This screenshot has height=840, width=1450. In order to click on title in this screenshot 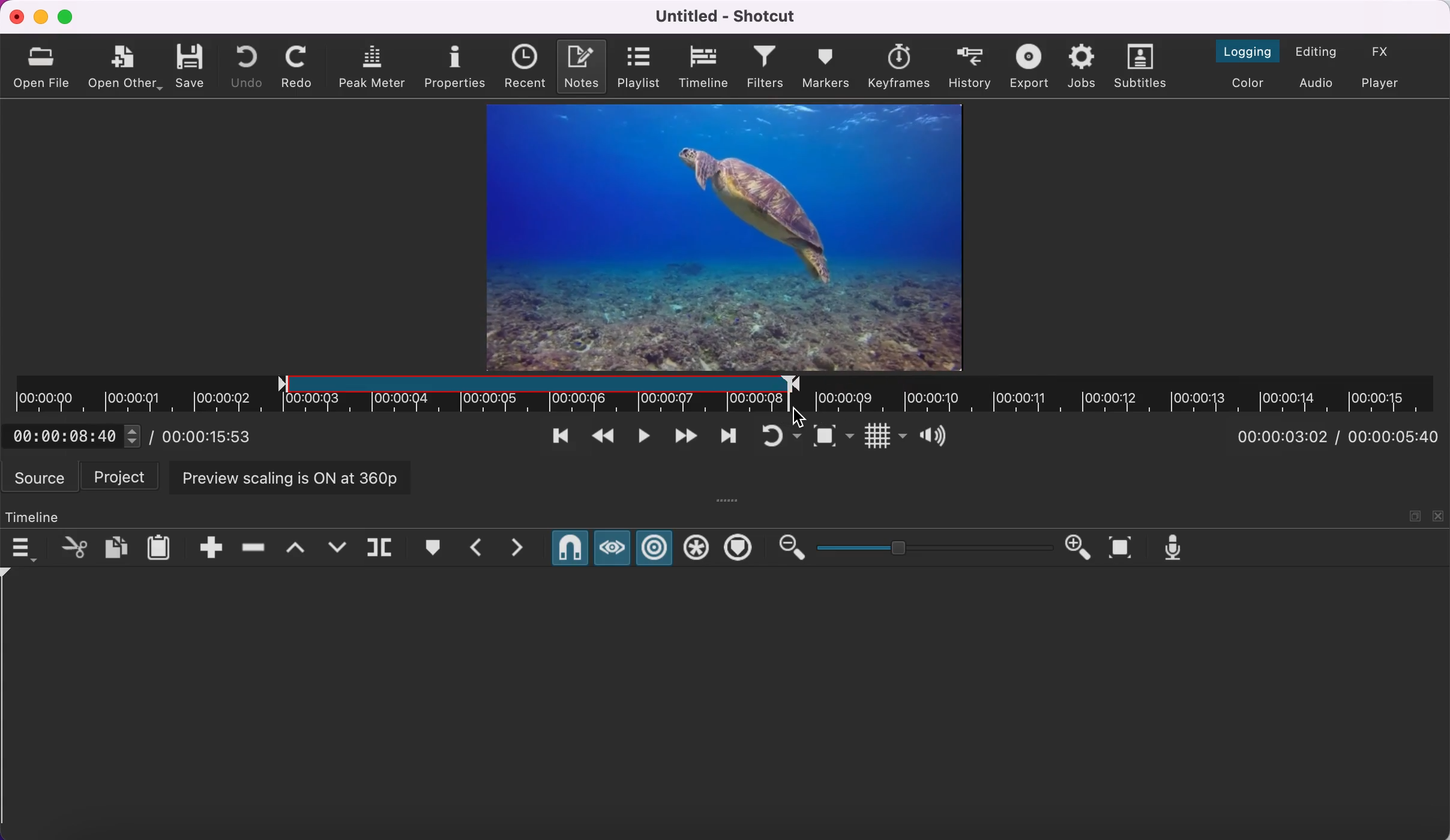, I will do `click(733, 17)`.